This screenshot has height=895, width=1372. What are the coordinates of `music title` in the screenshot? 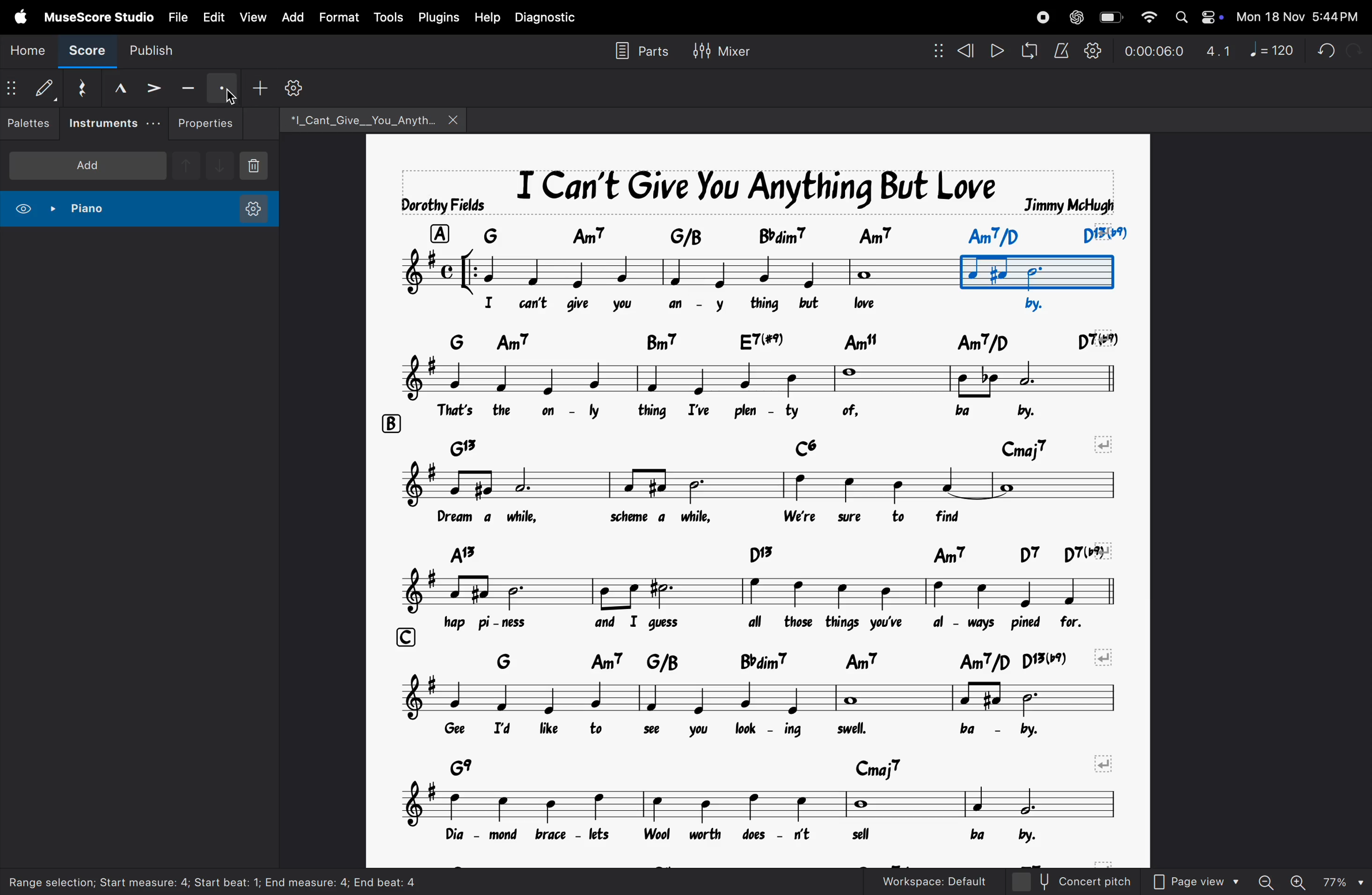 It's located at (759, 189).